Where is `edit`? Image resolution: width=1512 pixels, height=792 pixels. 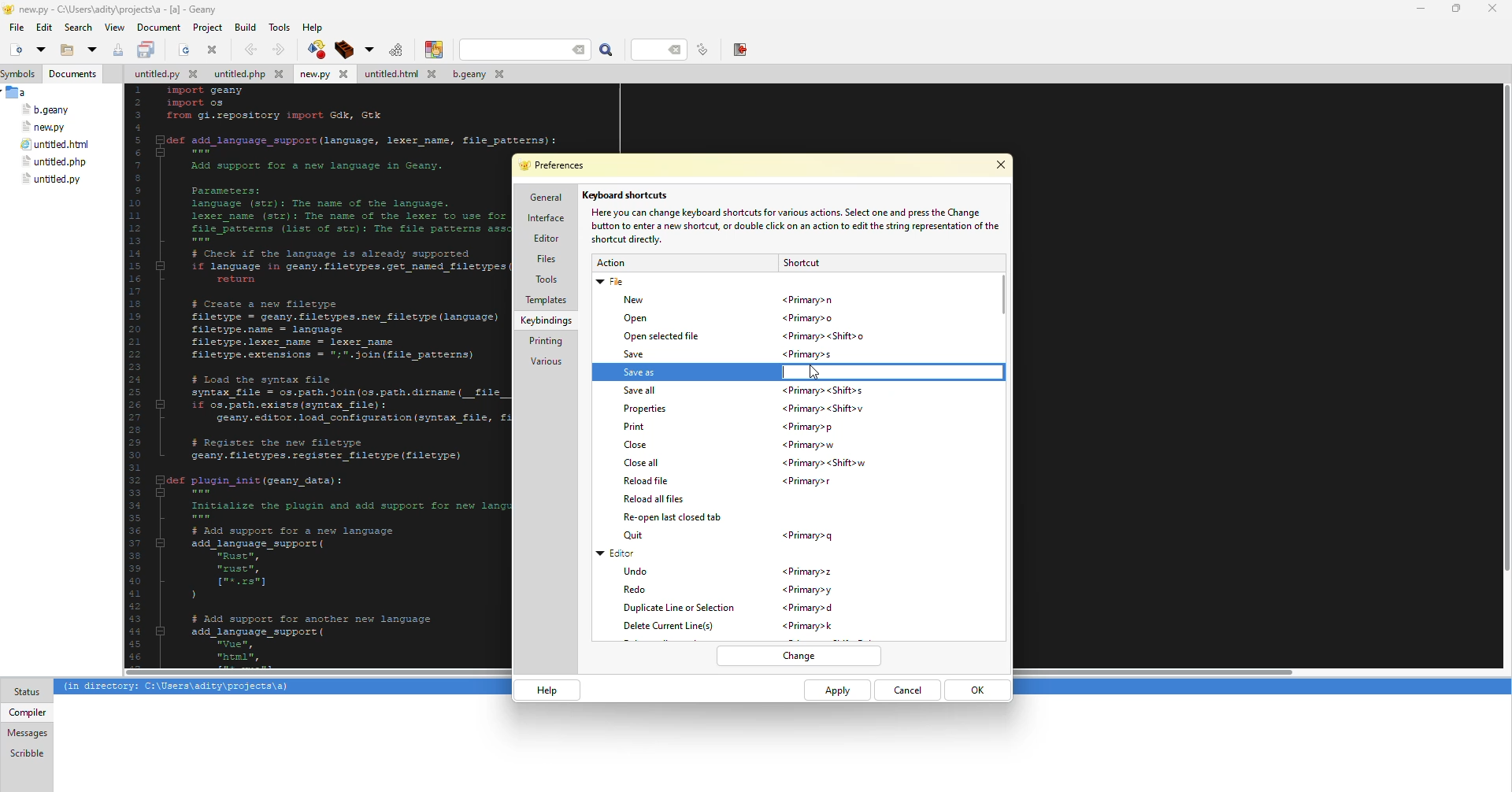
edit is located at coordinates (44, 28).